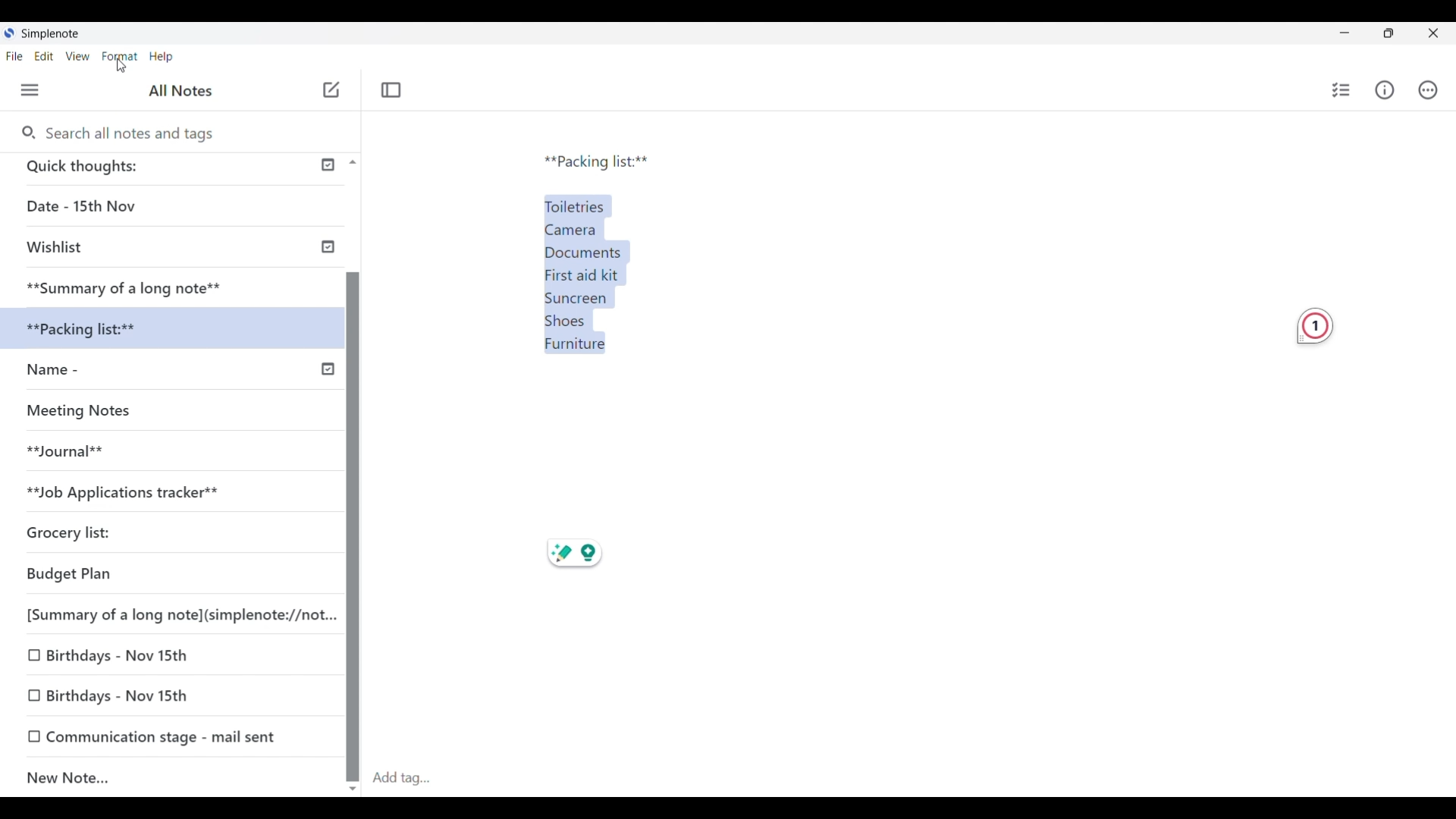 This screenshot has height=819, width=1456. I want to click on Wishlist, so click(129, 249).